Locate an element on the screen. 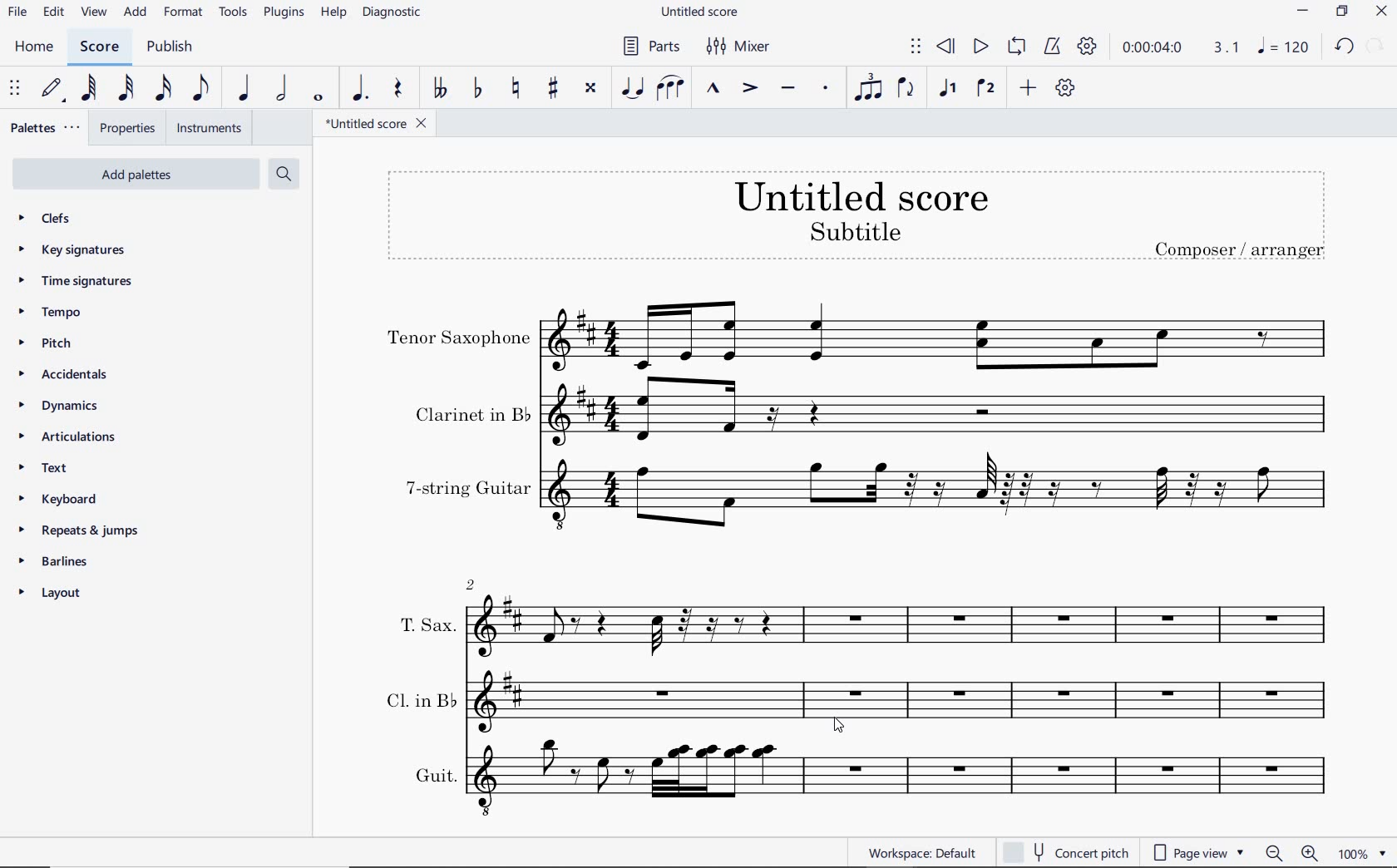 This screenshot has height=868, width=1397. PLAYBACK SETTINGS is located at coordinates (1089, 48).